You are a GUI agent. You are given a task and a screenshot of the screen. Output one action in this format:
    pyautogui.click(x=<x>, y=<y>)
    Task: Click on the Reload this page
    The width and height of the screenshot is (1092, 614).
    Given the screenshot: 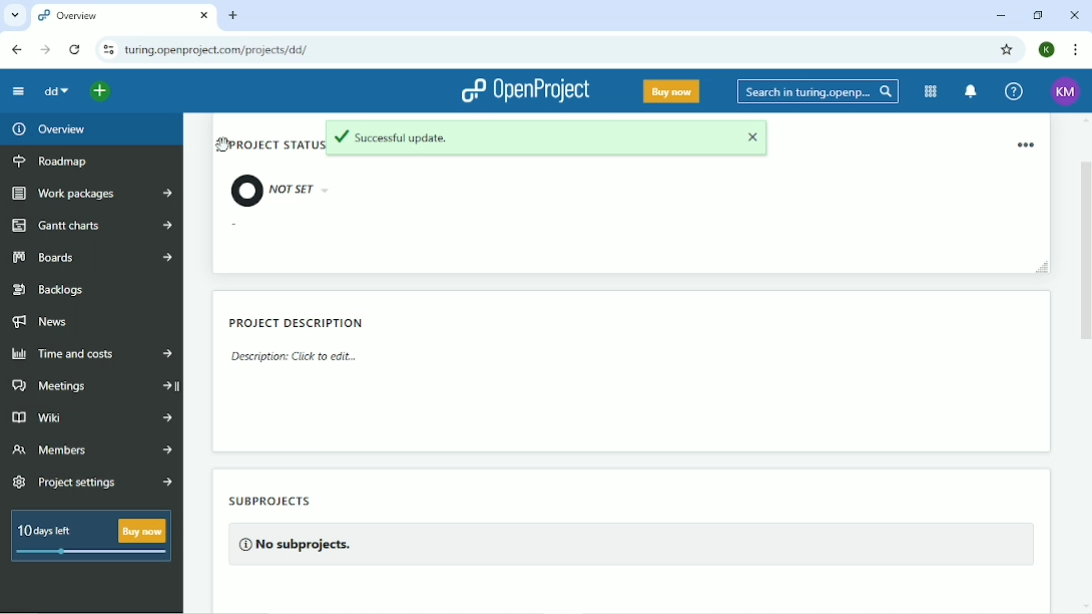 What is the action you would take?
    pyautogui.click(x=76, y=50)
    